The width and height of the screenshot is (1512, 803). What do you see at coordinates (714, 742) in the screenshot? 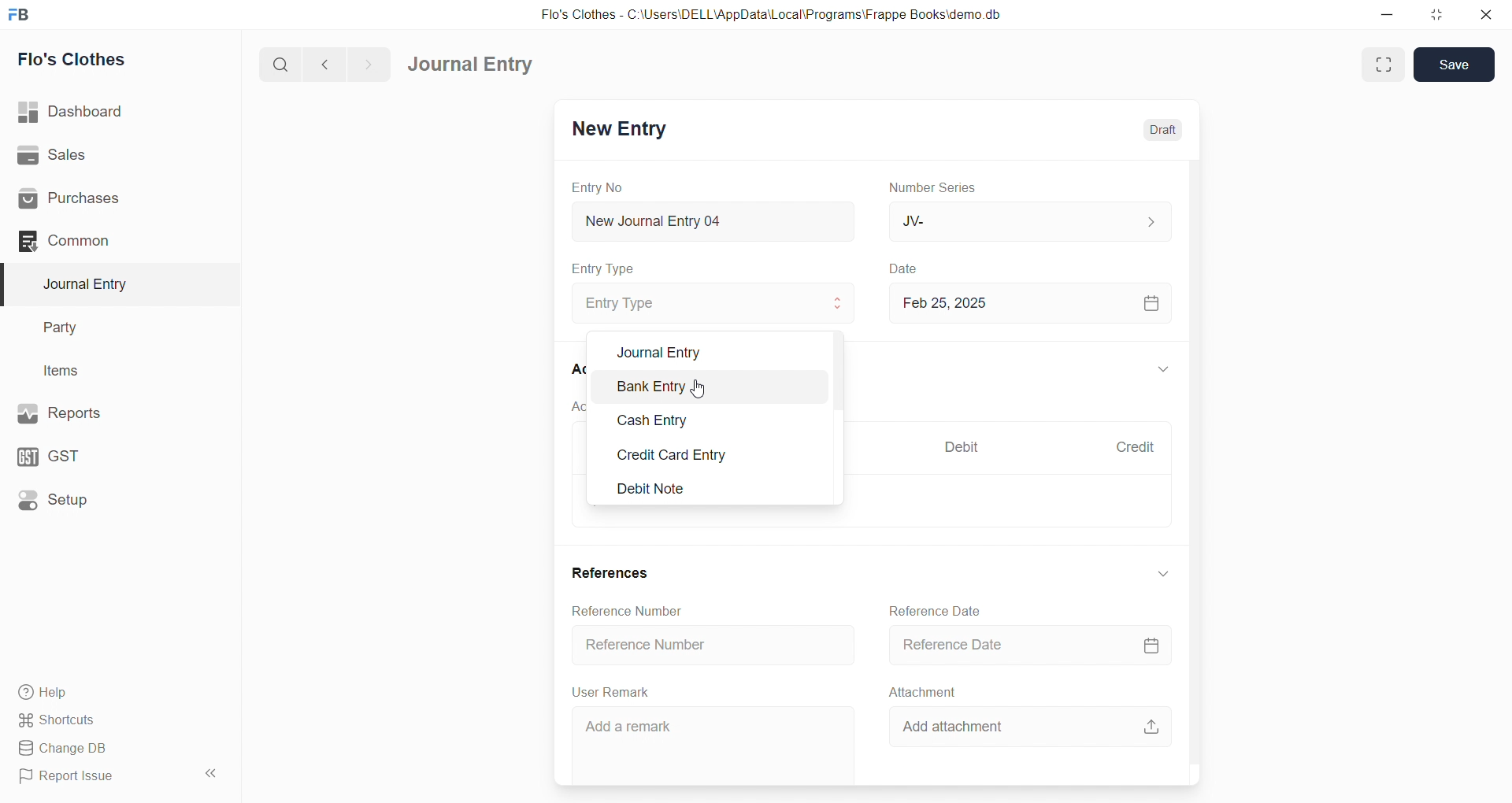
I see `Add a remark` at bounding box center [714, 742].